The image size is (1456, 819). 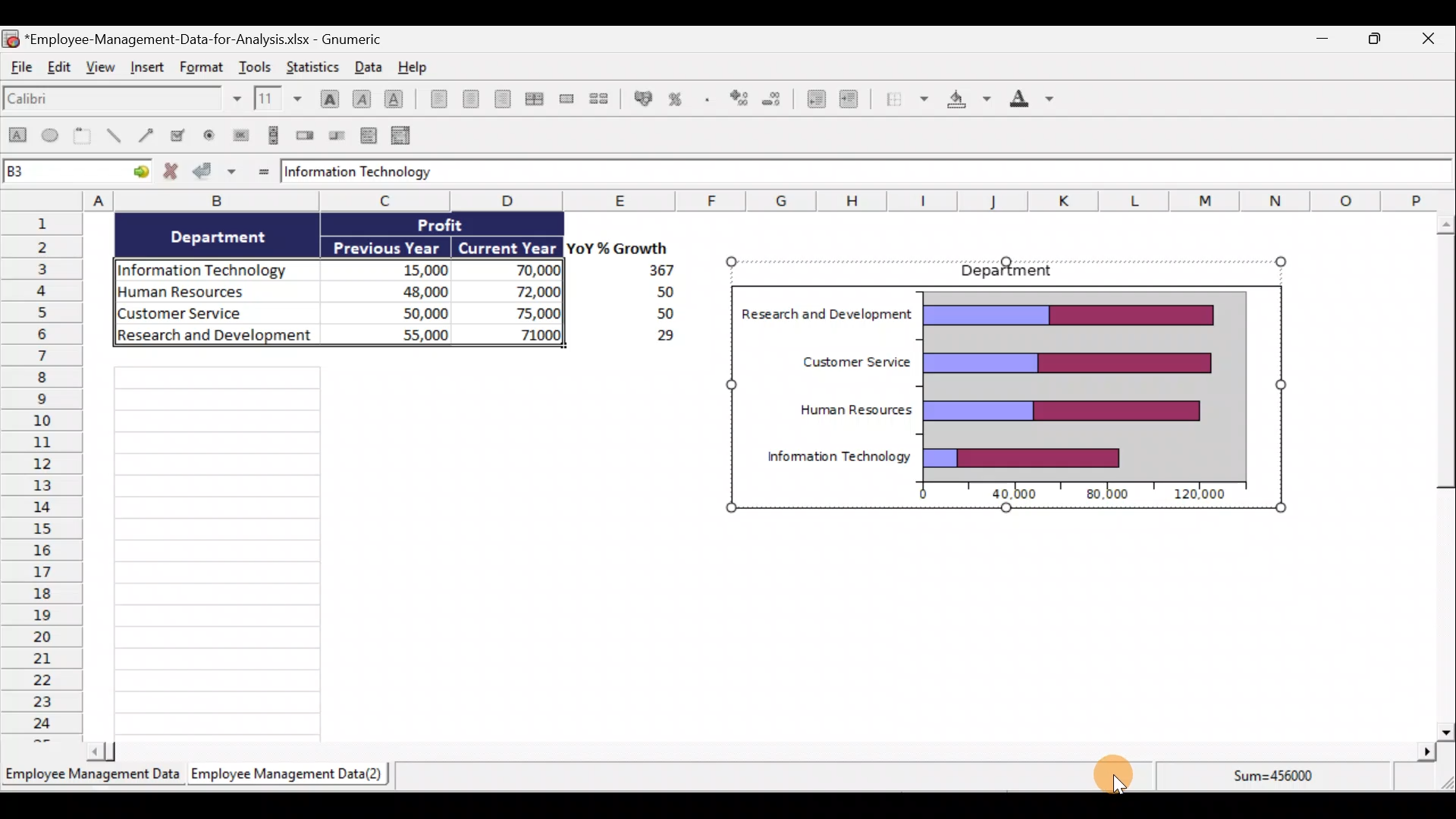 I want to click on Rows, so click(x=42, y=475).